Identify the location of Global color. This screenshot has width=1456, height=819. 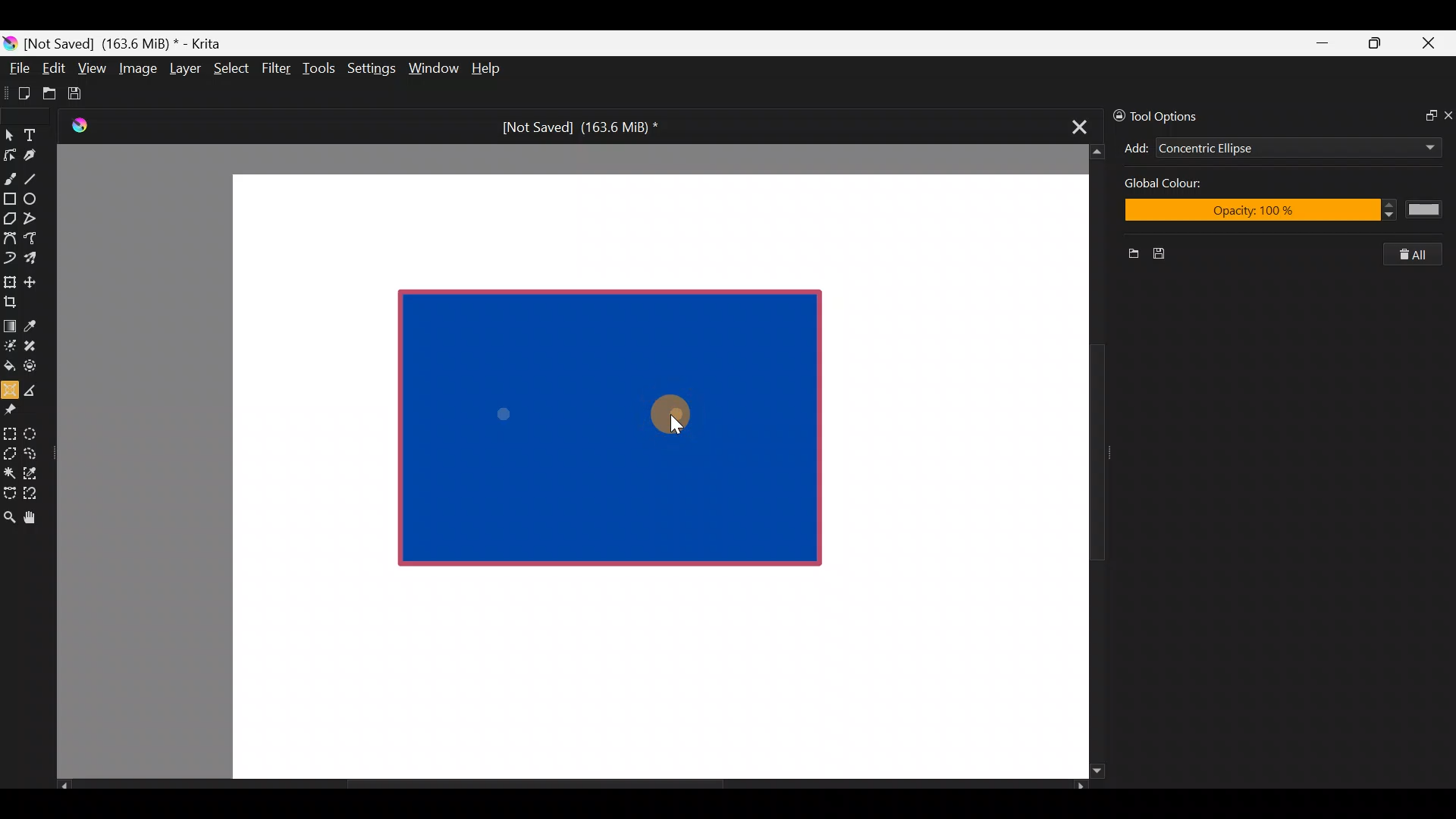
(1205, 185).